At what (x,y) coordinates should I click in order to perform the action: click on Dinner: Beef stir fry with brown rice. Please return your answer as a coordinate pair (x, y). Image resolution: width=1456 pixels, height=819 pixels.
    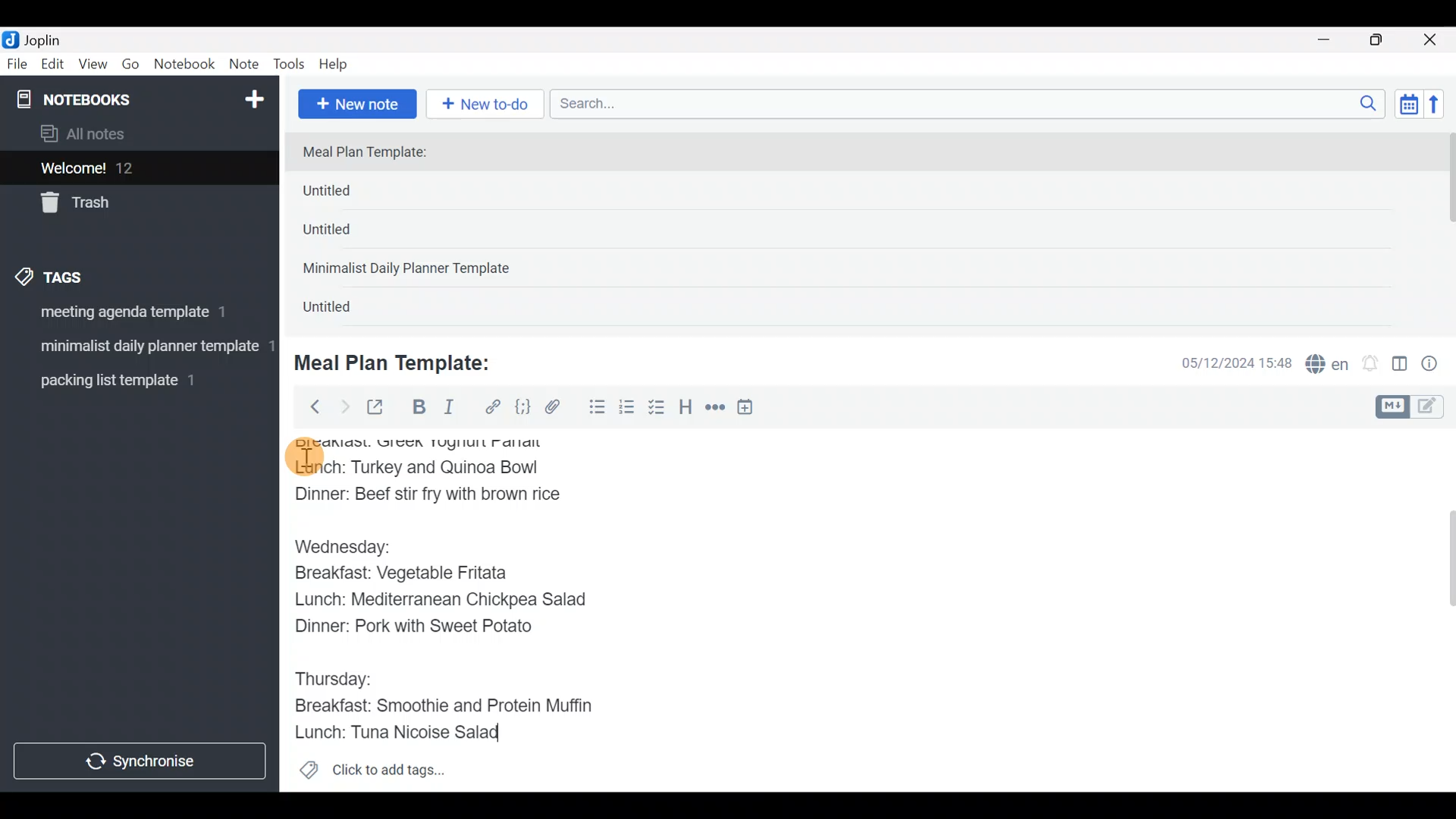
    Looking at the image, I should click on (431, 498).